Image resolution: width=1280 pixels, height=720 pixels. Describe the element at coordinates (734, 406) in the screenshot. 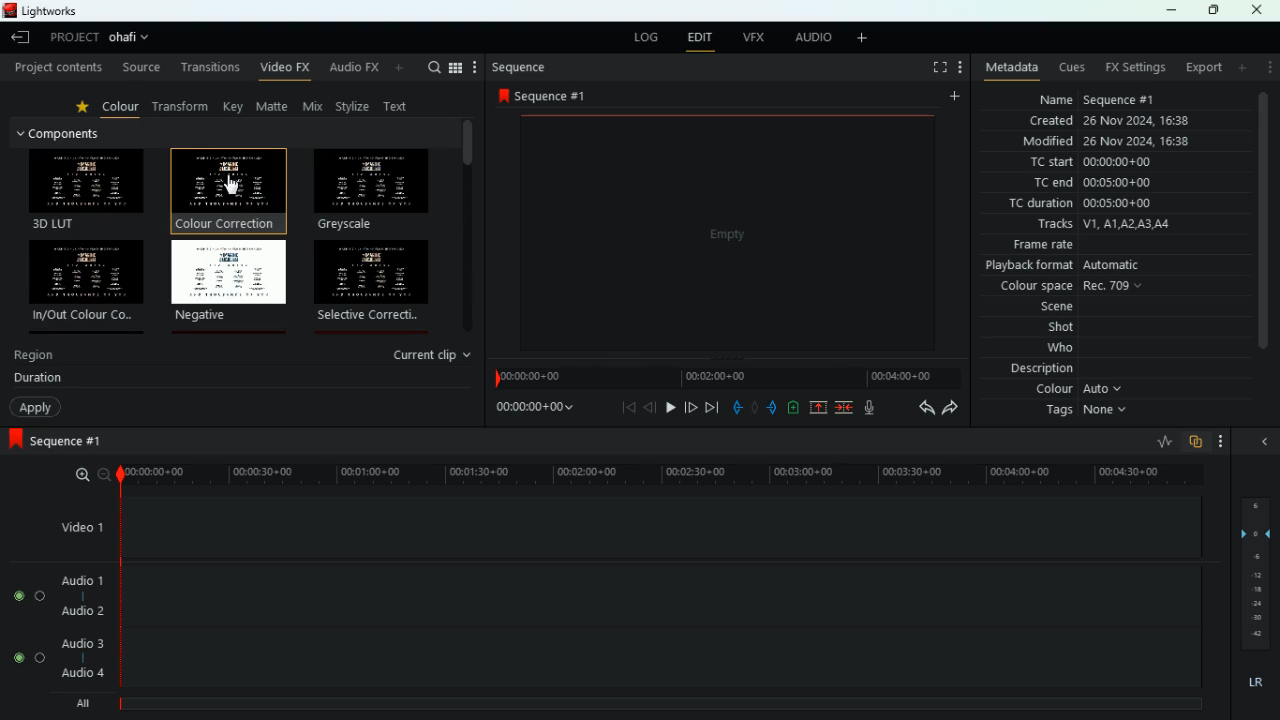

I see `back` at that location.